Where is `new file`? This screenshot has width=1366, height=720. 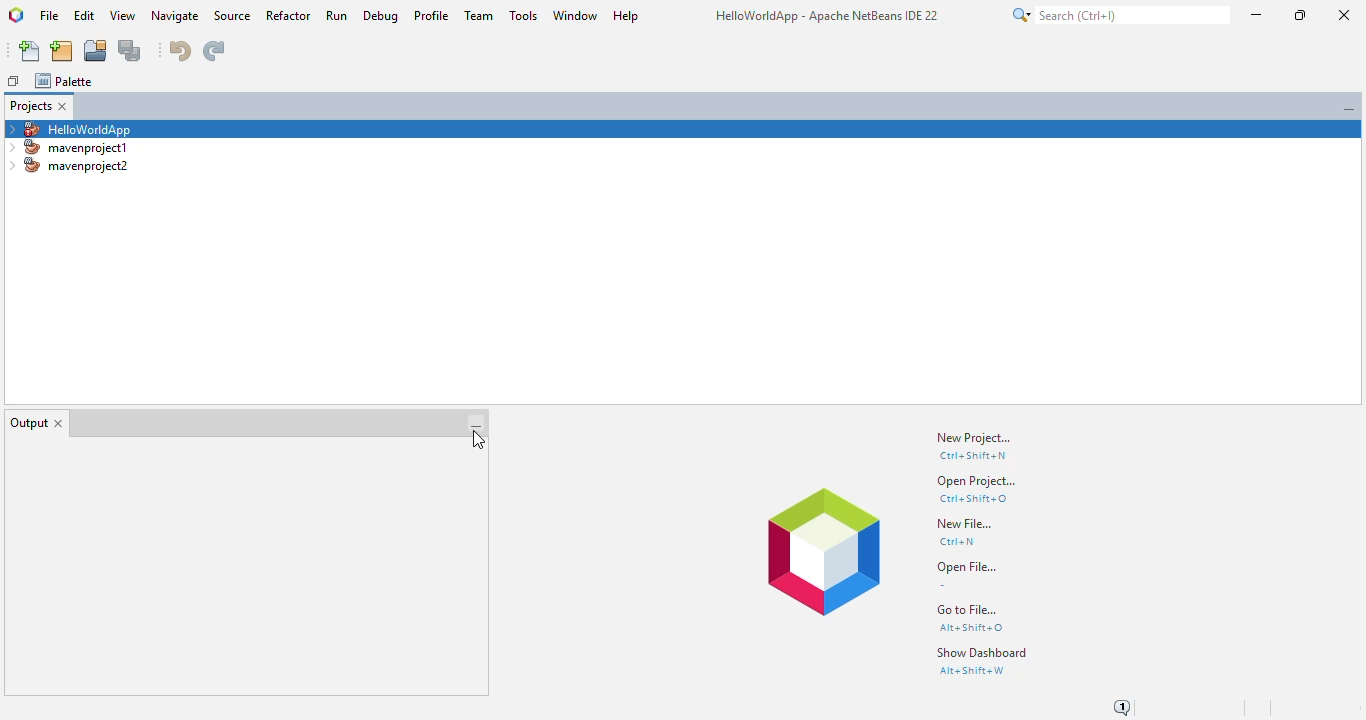 new file is located at coordinates (965, 523).